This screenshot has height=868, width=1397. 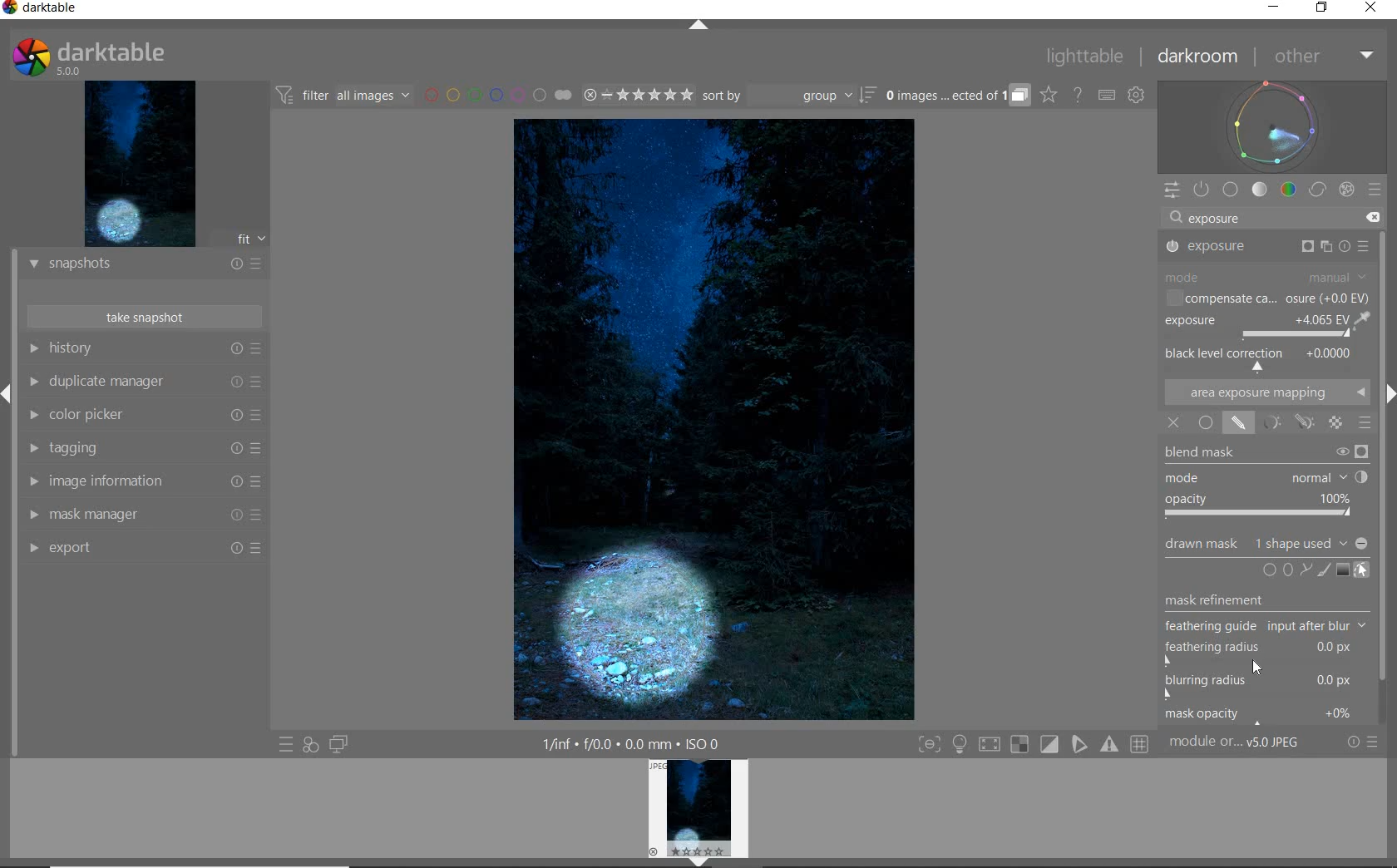 I want to click on HISTORY, so click(x=141, y=348).